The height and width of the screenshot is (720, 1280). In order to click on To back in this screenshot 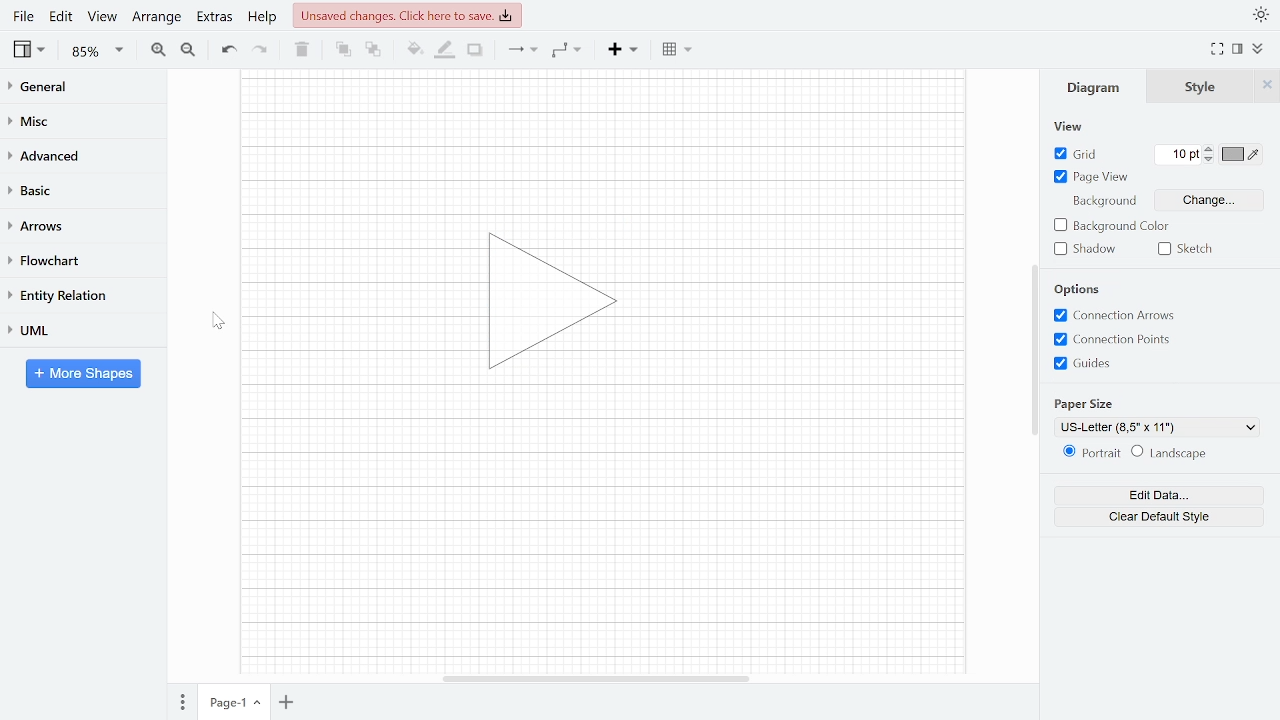, I will do `click(371, 48)`.